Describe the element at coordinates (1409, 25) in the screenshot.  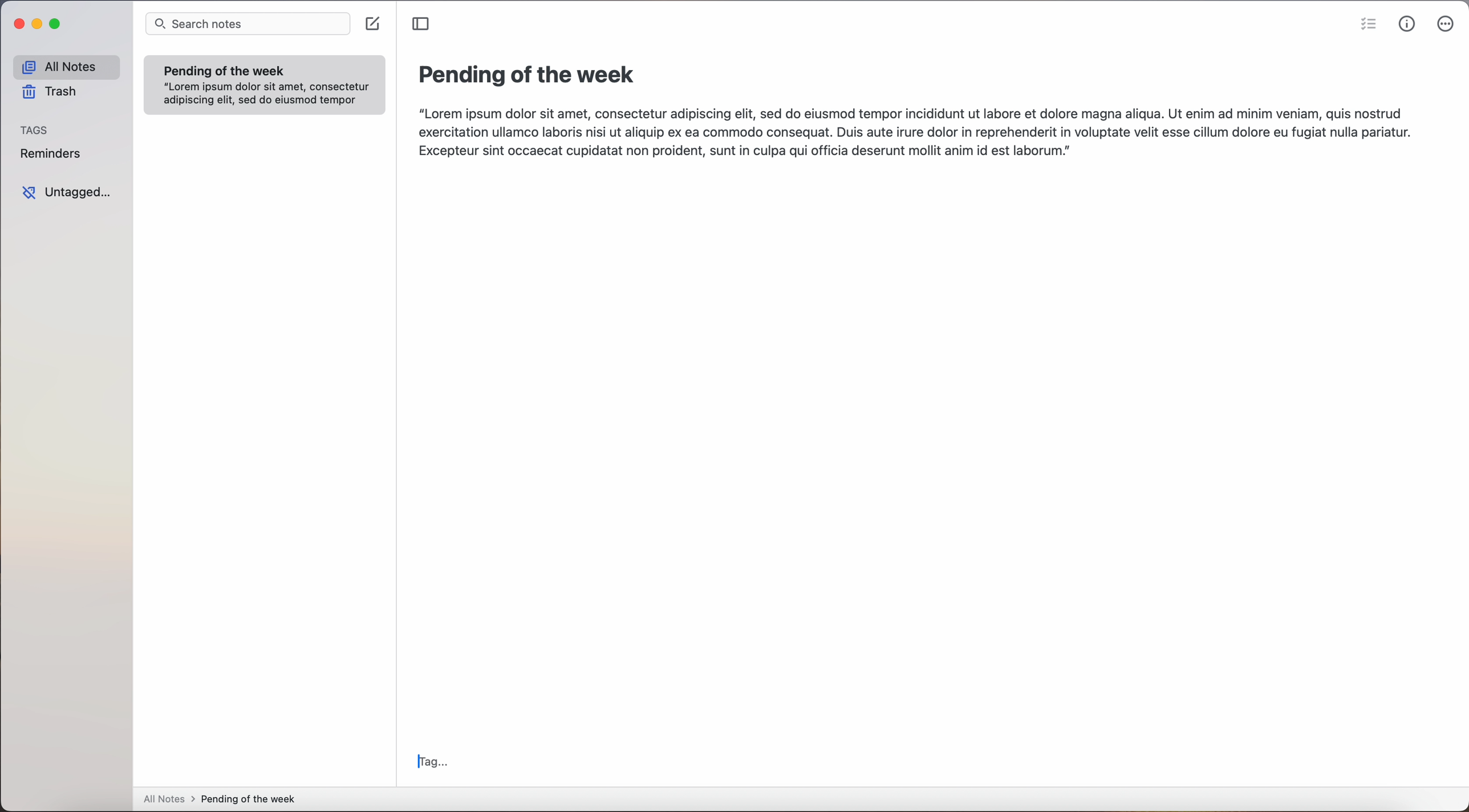
I see `metrics` at that location.